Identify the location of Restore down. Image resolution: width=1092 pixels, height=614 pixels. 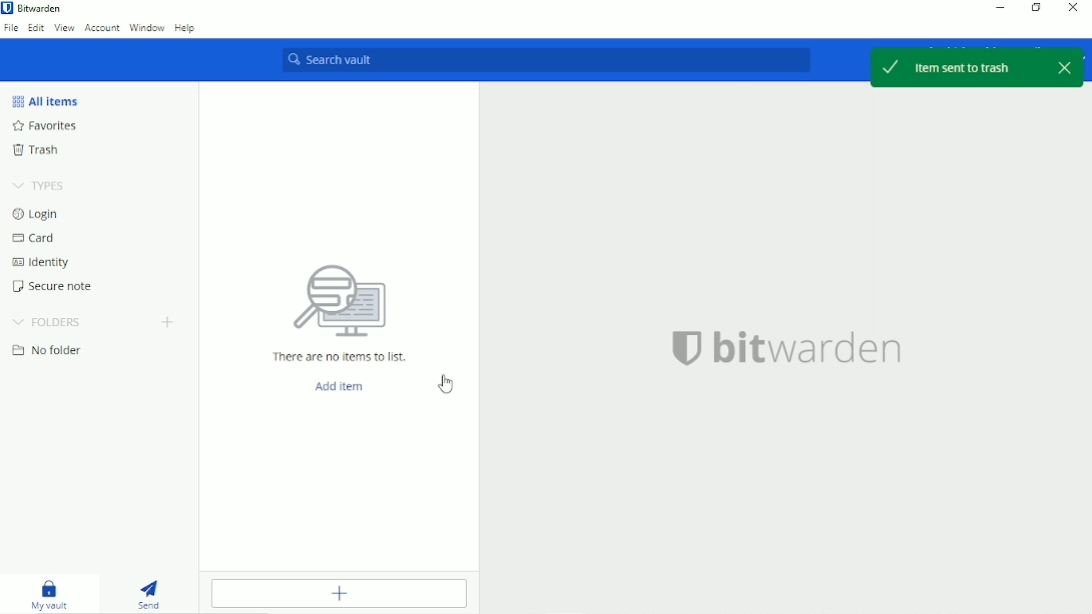
(1036, 8).